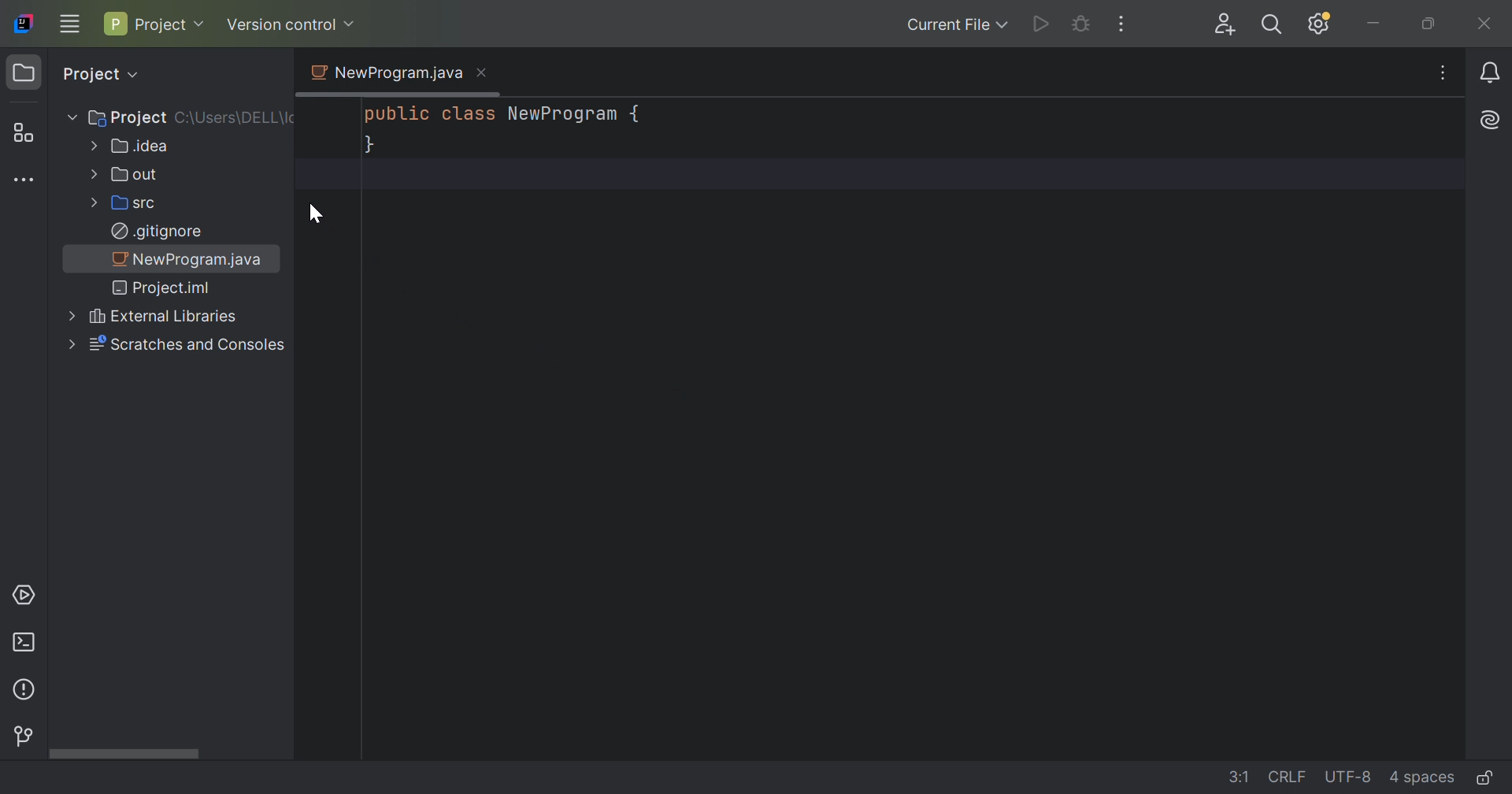 The width and height of the screenshot is (1512, 794). Describe the element at coordinates (1490, 74) in the screenshot. I see `Notifications` at that location.